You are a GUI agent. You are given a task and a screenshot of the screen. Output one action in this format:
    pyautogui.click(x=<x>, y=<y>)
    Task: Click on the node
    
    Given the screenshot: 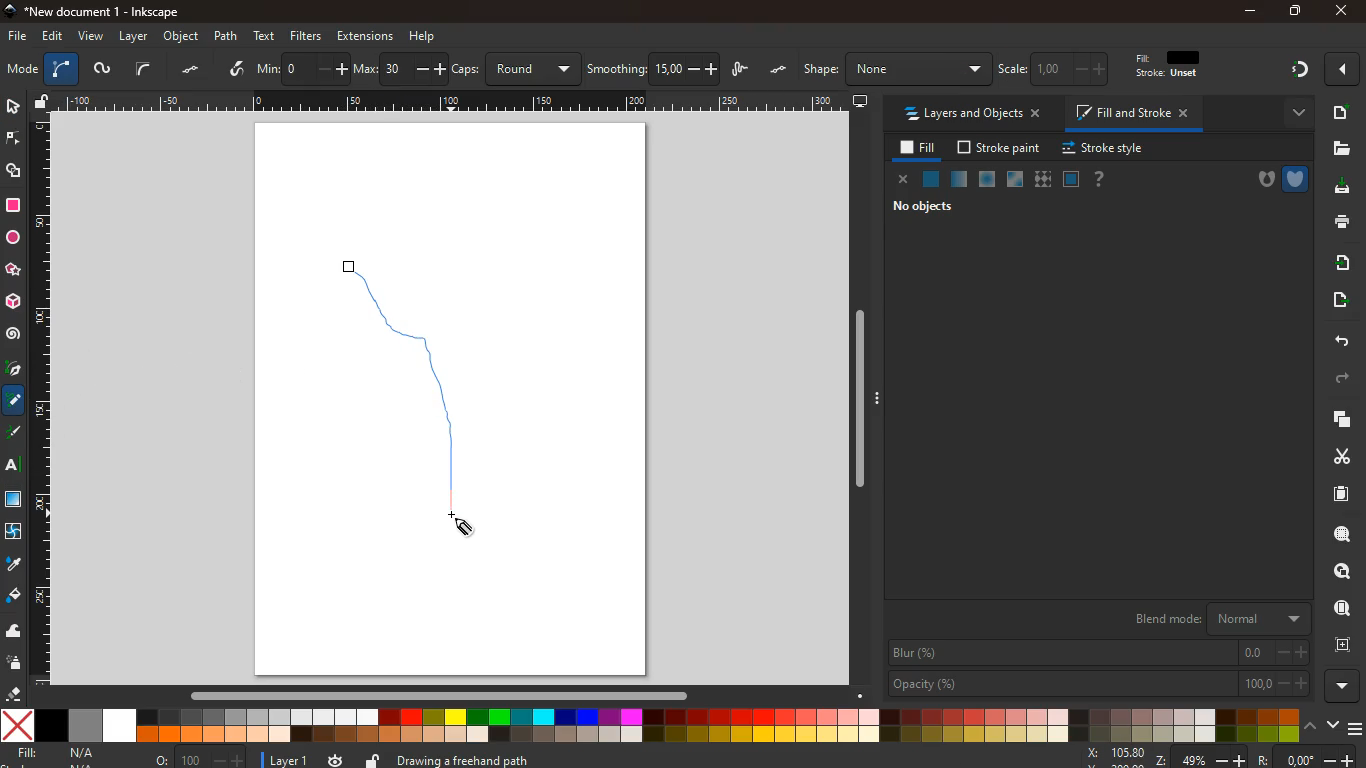 What is the action you would take?
    pyautogui.click(x=15, y=137)
    